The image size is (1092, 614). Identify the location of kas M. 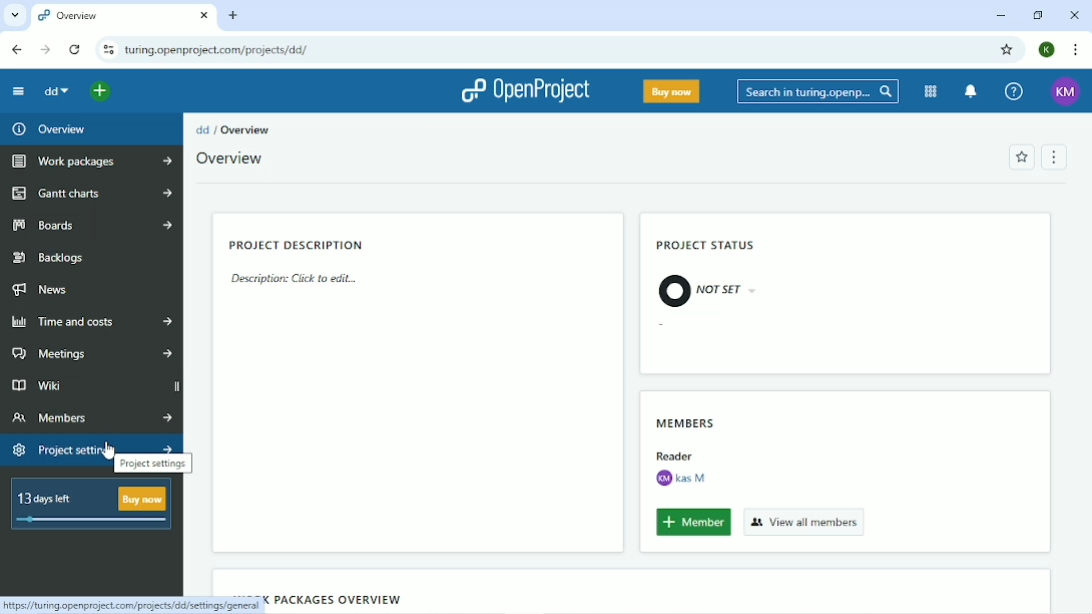
(683, 478).